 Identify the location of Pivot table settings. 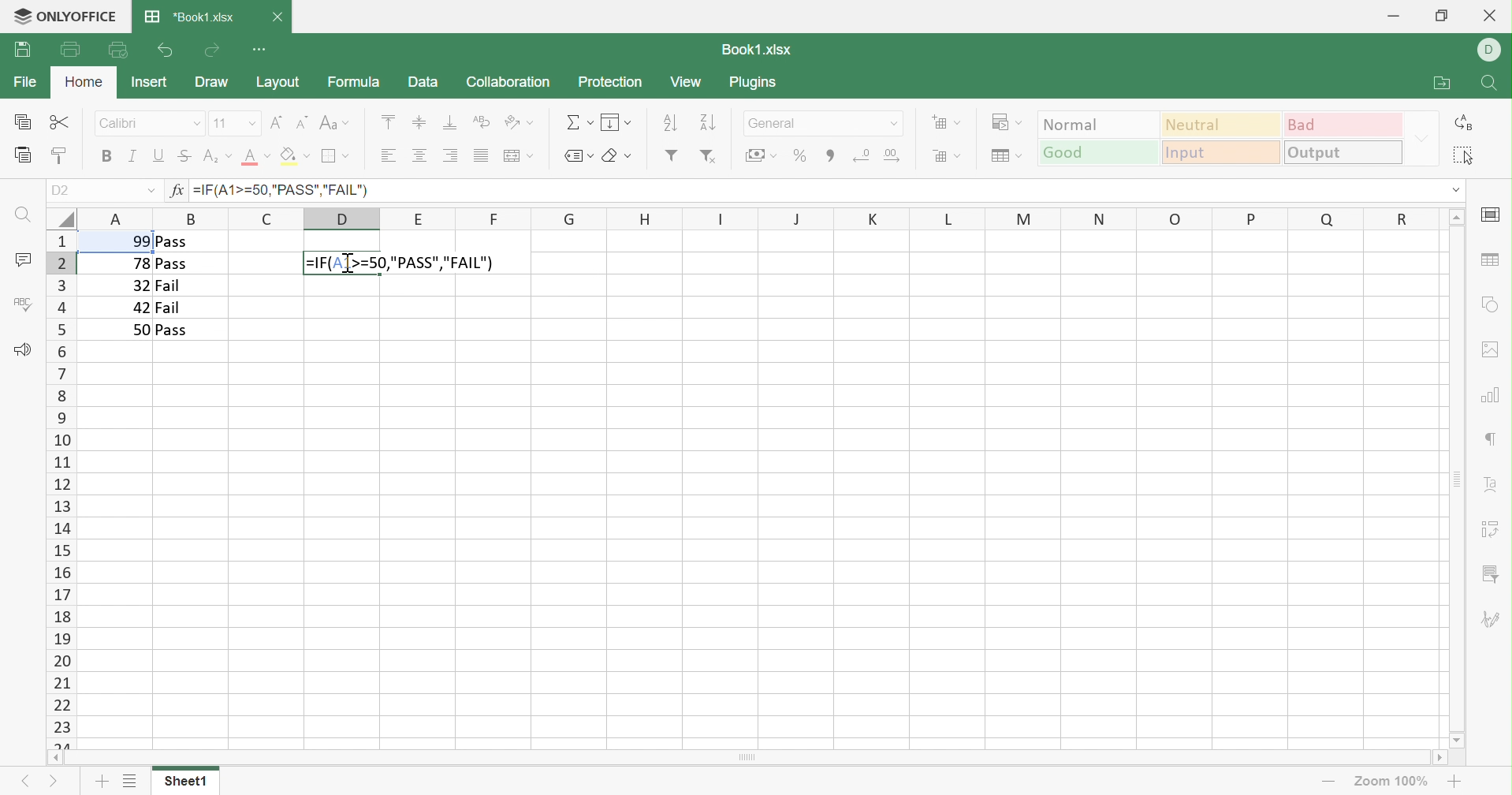
(1492, 529).